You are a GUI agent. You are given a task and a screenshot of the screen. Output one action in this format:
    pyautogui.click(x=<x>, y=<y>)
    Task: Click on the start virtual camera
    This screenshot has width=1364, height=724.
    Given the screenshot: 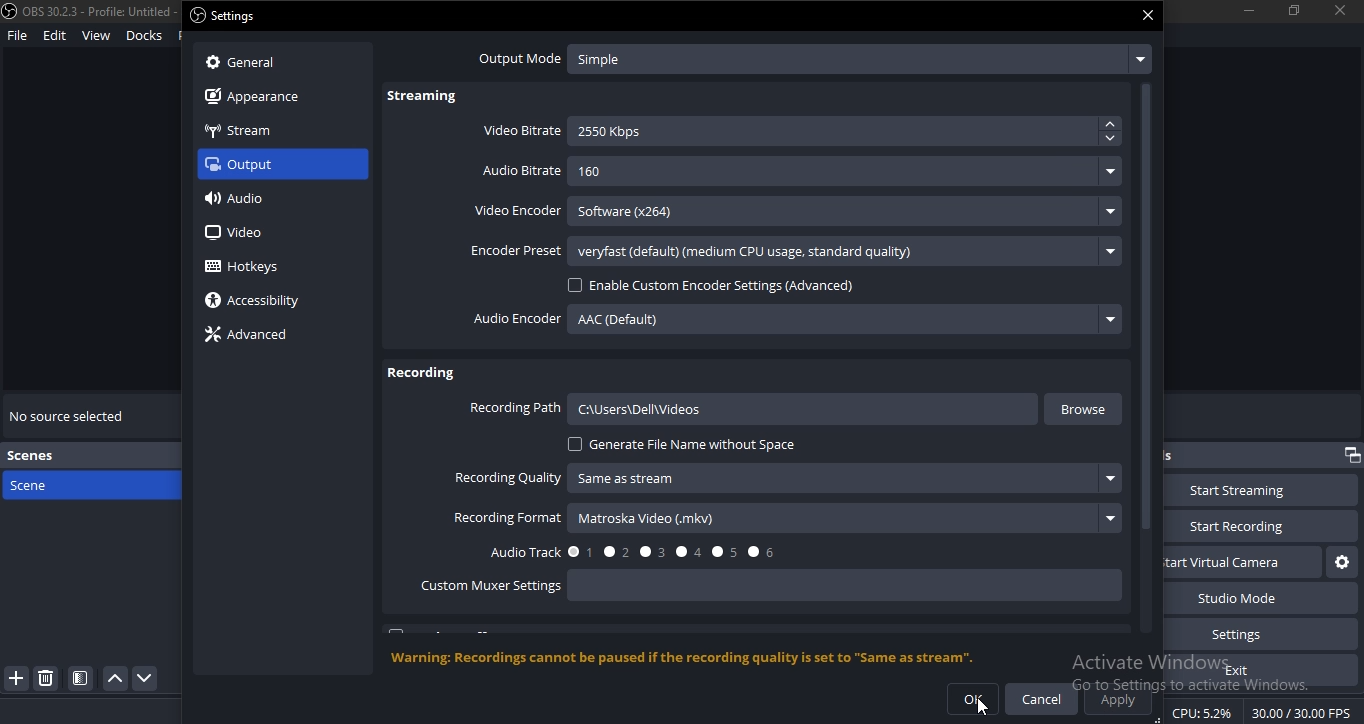 What is the action you would take?
    pyautogui.click(x=1339, y=563)
    